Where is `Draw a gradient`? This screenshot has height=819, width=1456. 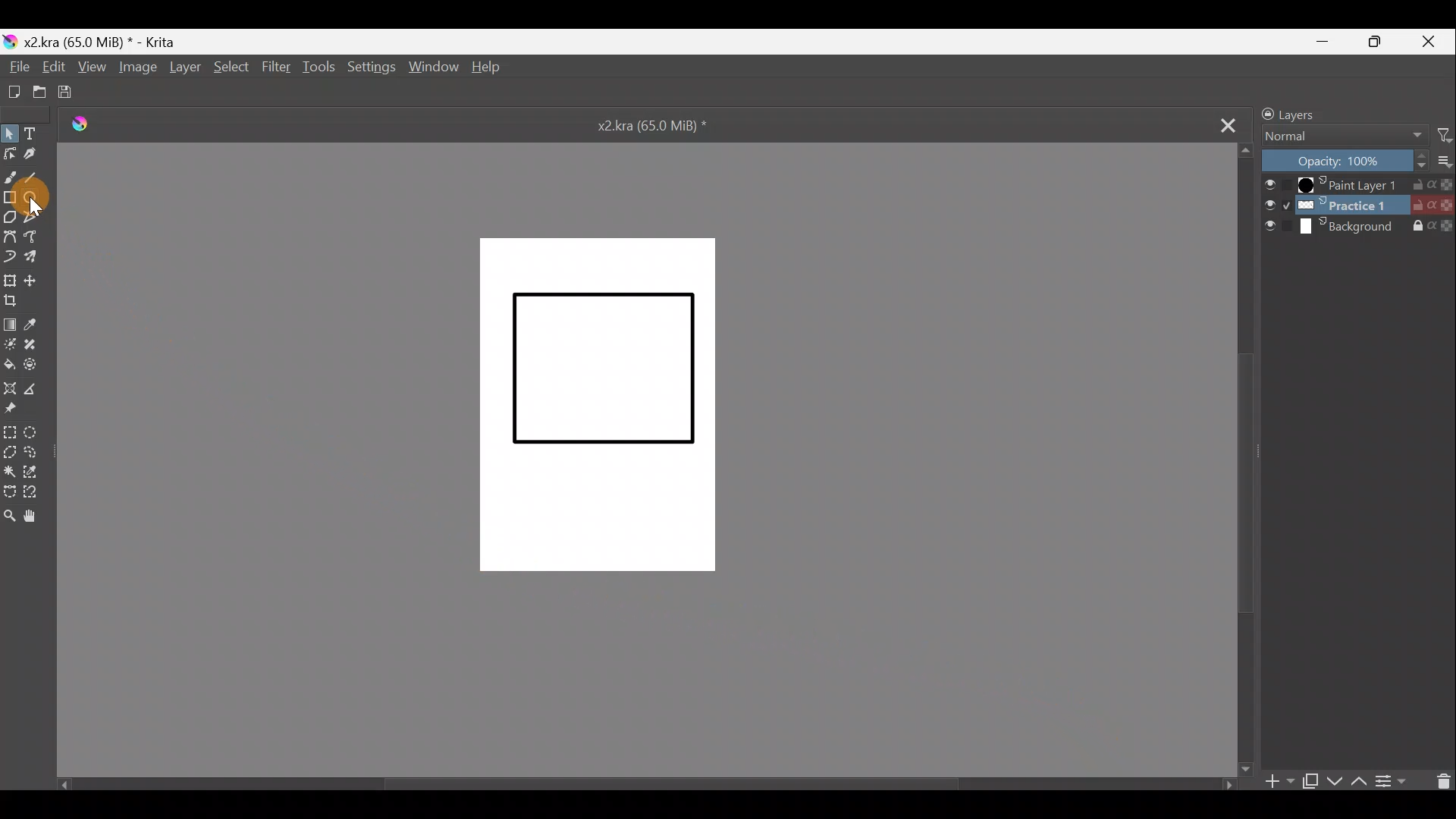
Draw a gradient is located at coordinates (11, 322).